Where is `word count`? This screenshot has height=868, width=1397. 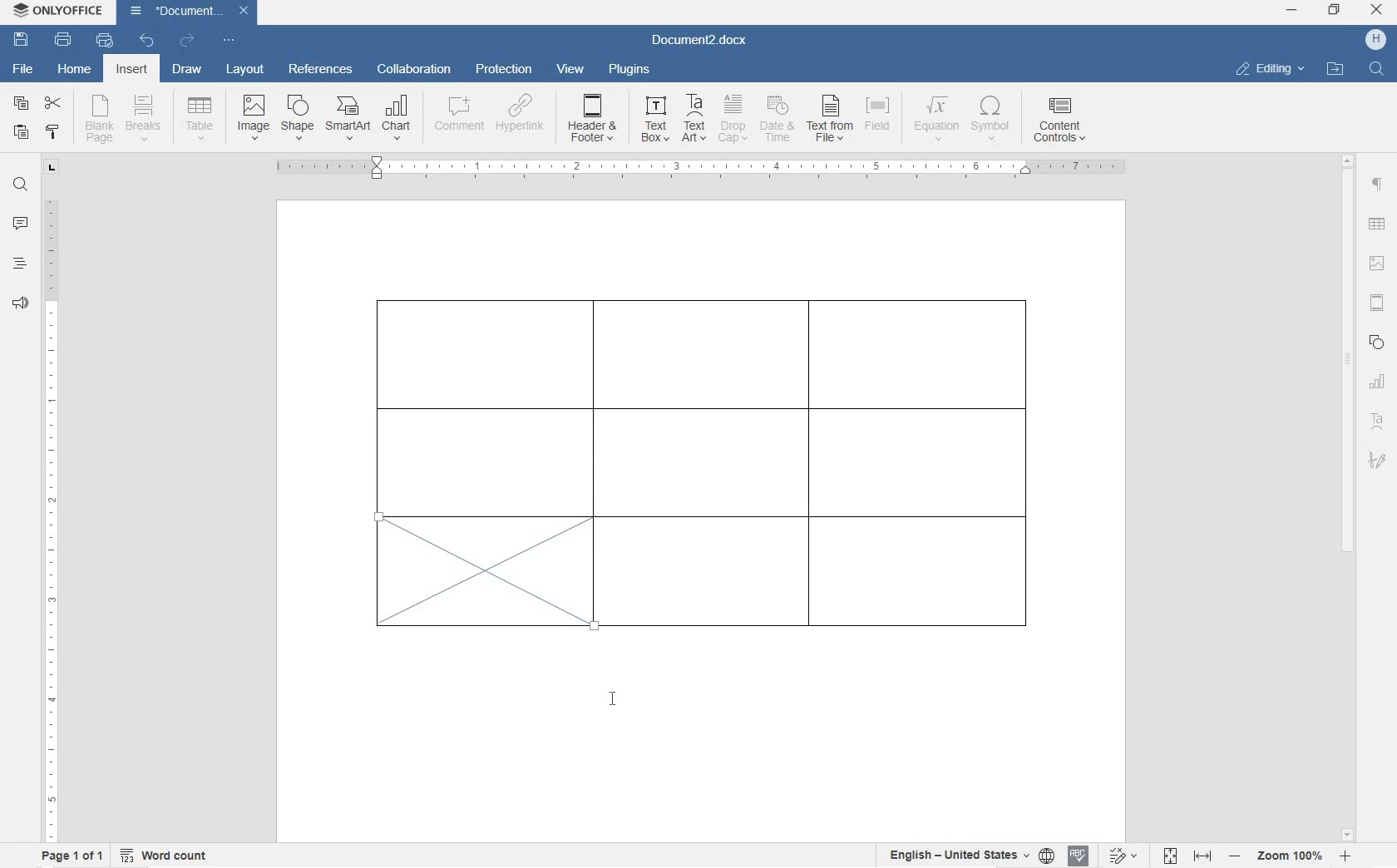 word count is located at coordinates (165, 855).